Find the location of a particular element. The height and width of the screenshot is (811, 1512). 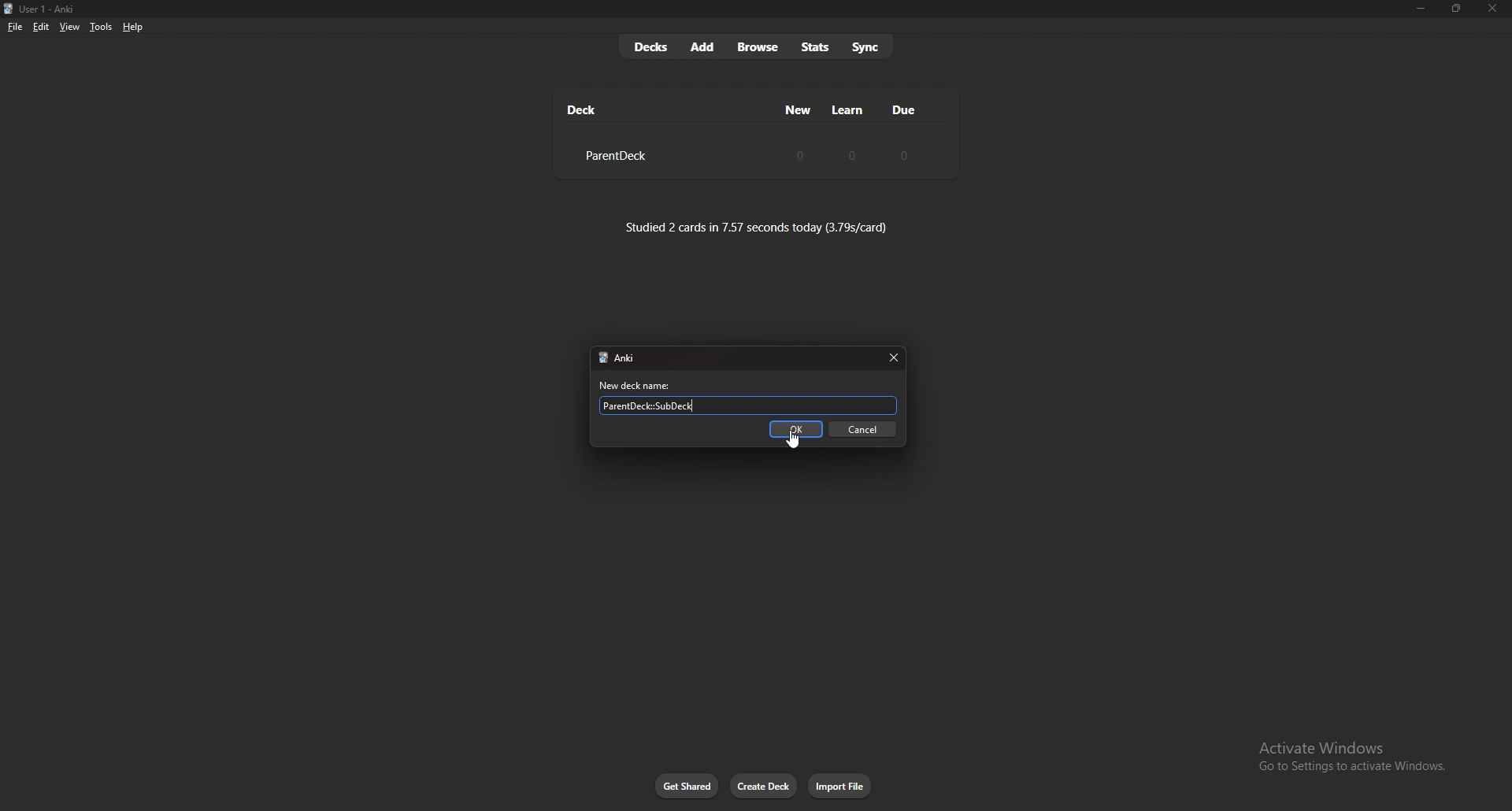

0 is located at coordinates (853, 154).